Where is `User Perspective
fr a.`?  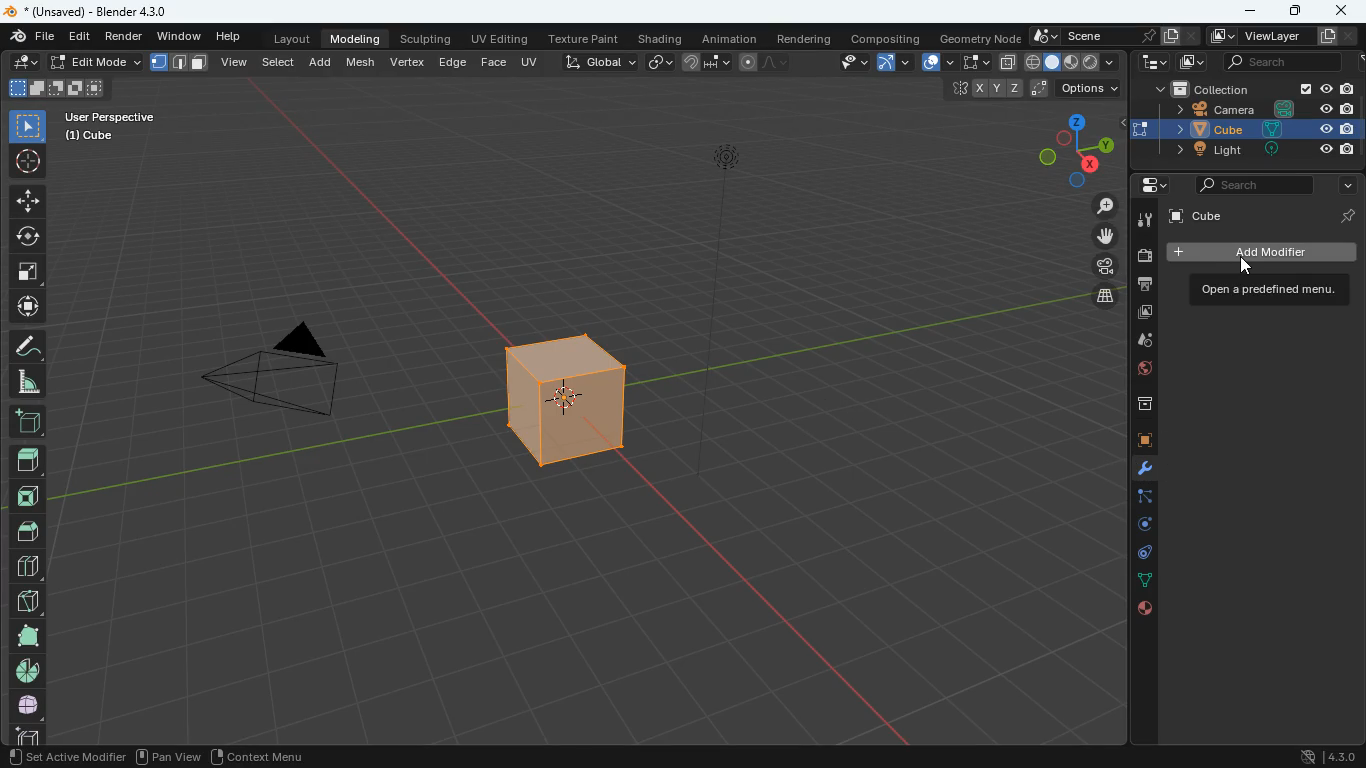 User Perspective
fr a. is located at coordinates (110, 125).